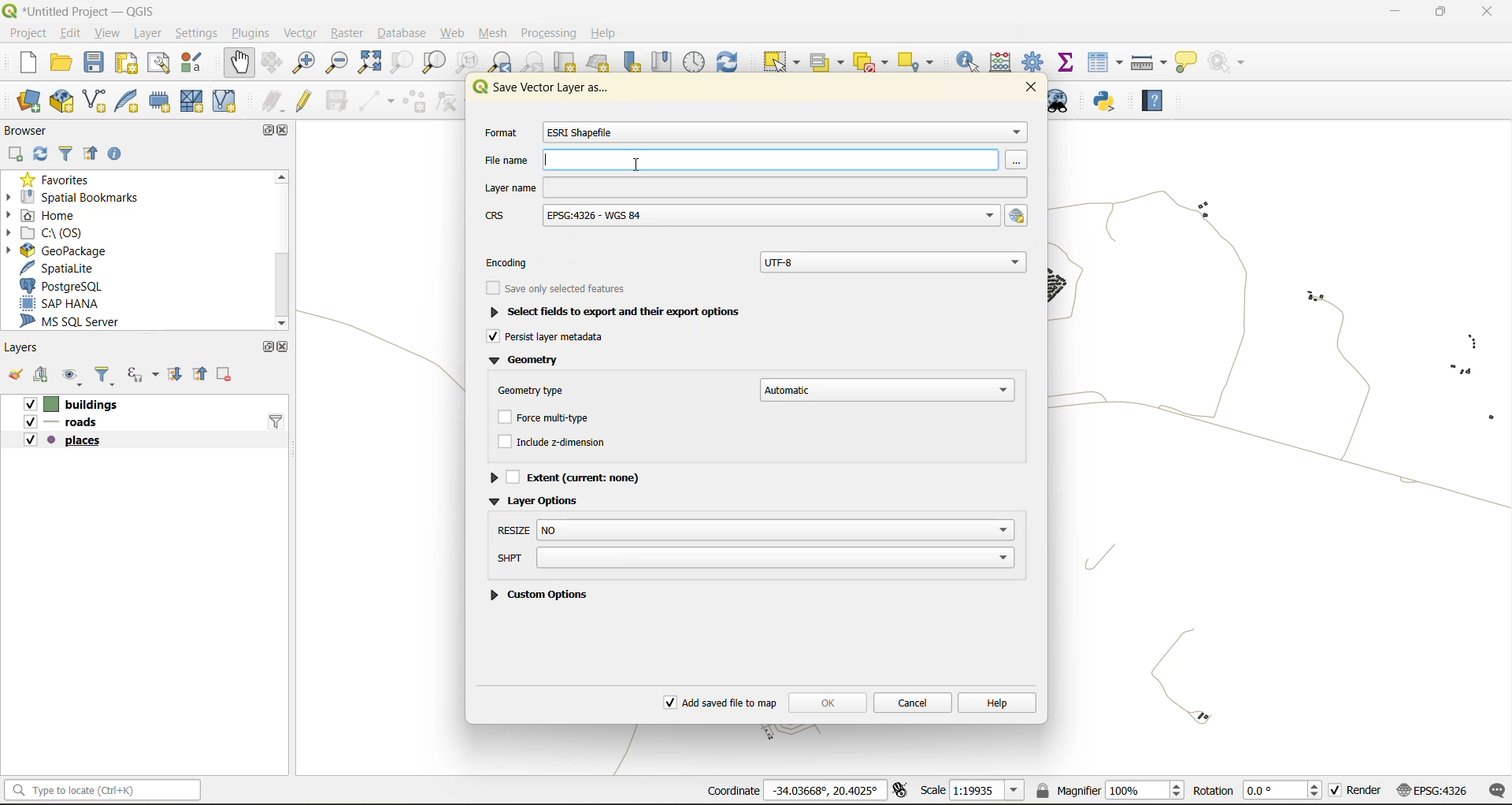  I want to click on Extent, so click(573, 476).